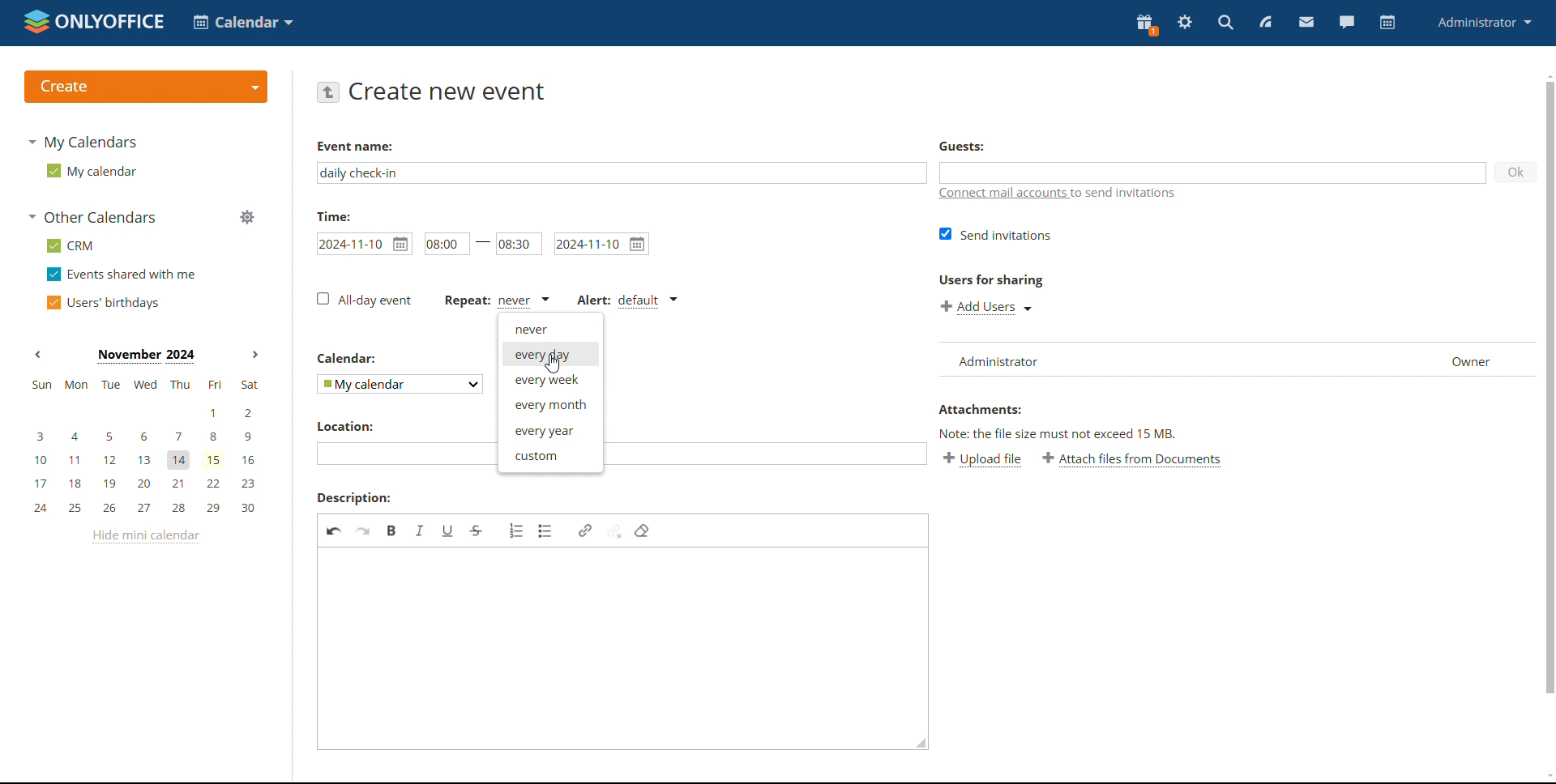  I want to click on every week, so click(549, 381).